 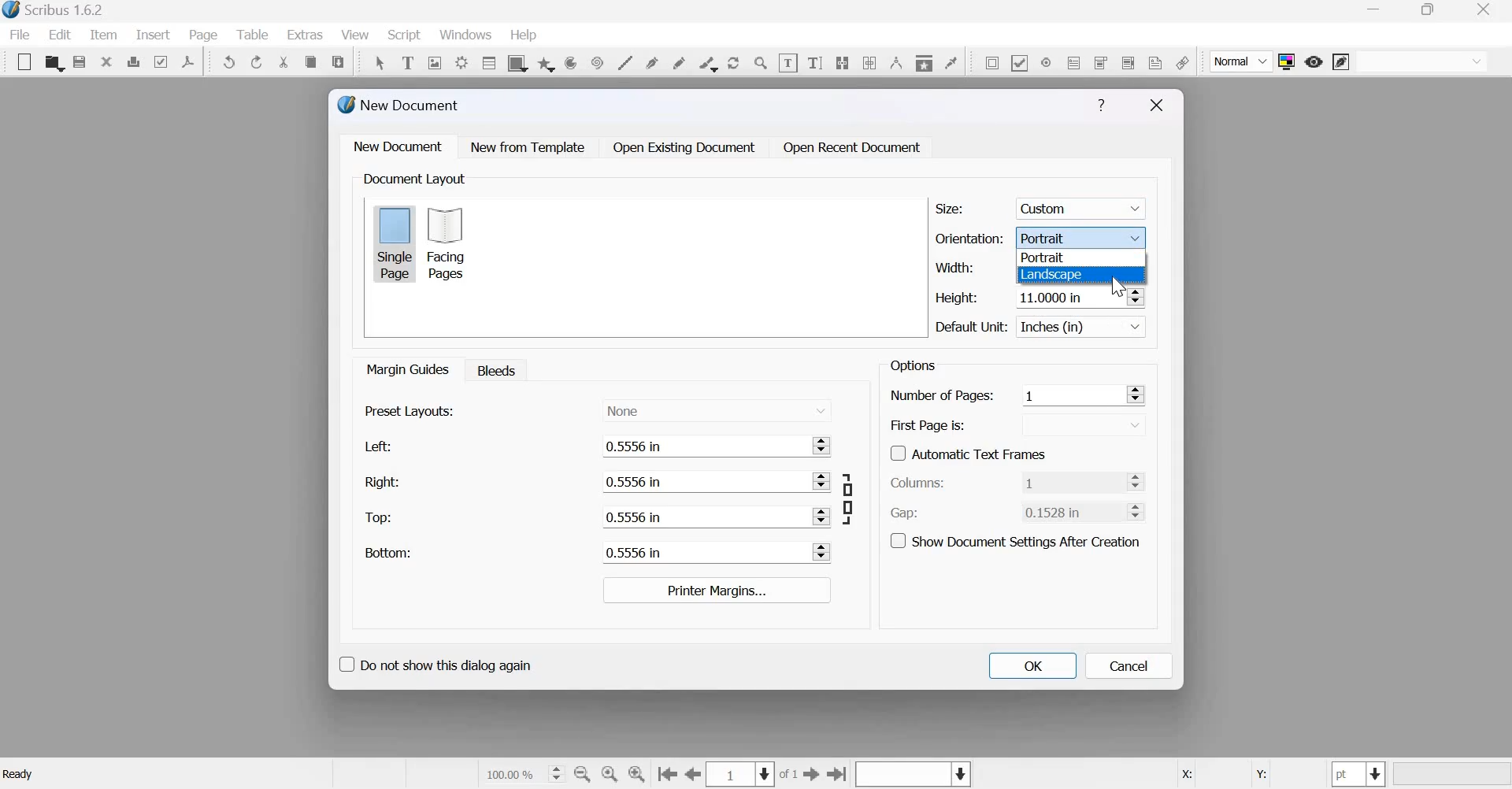 What do you see at coordinates (732, 61) in the screenshot?
I see `rotate item` at bounding box center [732, 61].